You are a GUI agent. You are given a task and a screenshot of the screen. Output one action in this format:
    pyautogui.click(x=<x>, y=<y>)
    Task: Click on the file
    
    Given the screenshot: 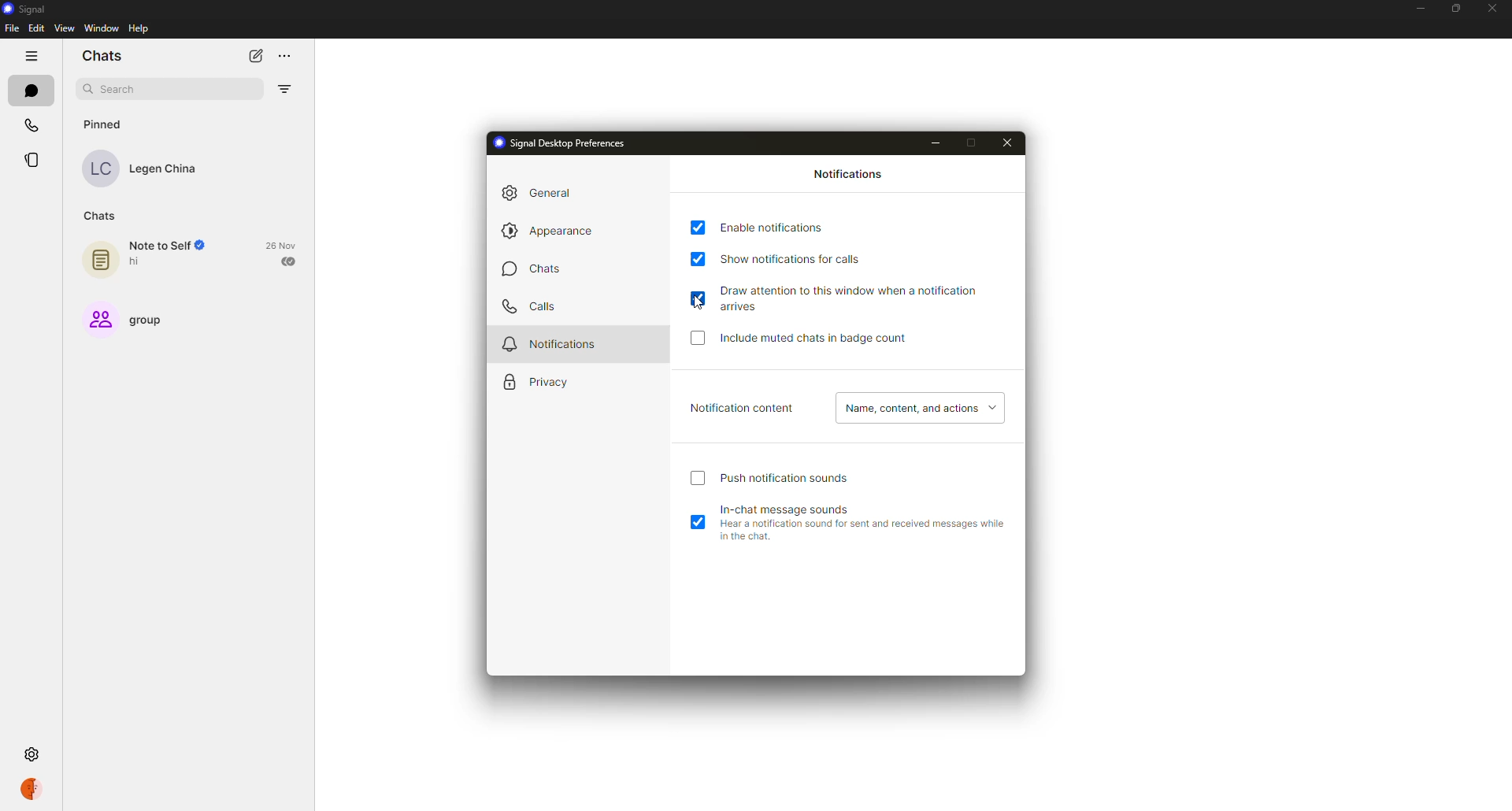 What is the action you would take?
    pyautogui.click(x=11, y=28)
    